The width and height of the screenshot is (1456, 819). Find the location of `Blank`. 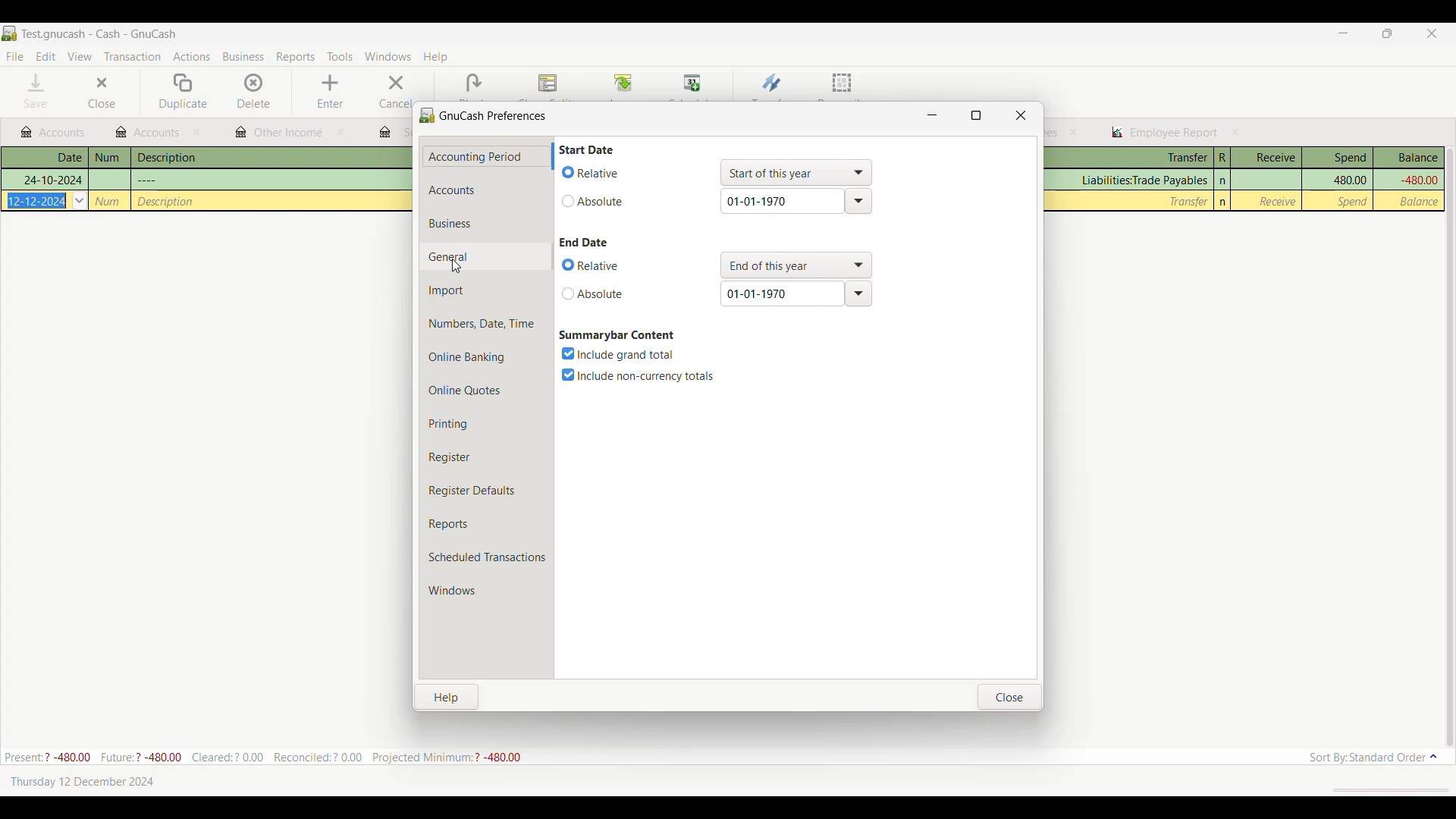

Blank is located at coordinates (473, 83).